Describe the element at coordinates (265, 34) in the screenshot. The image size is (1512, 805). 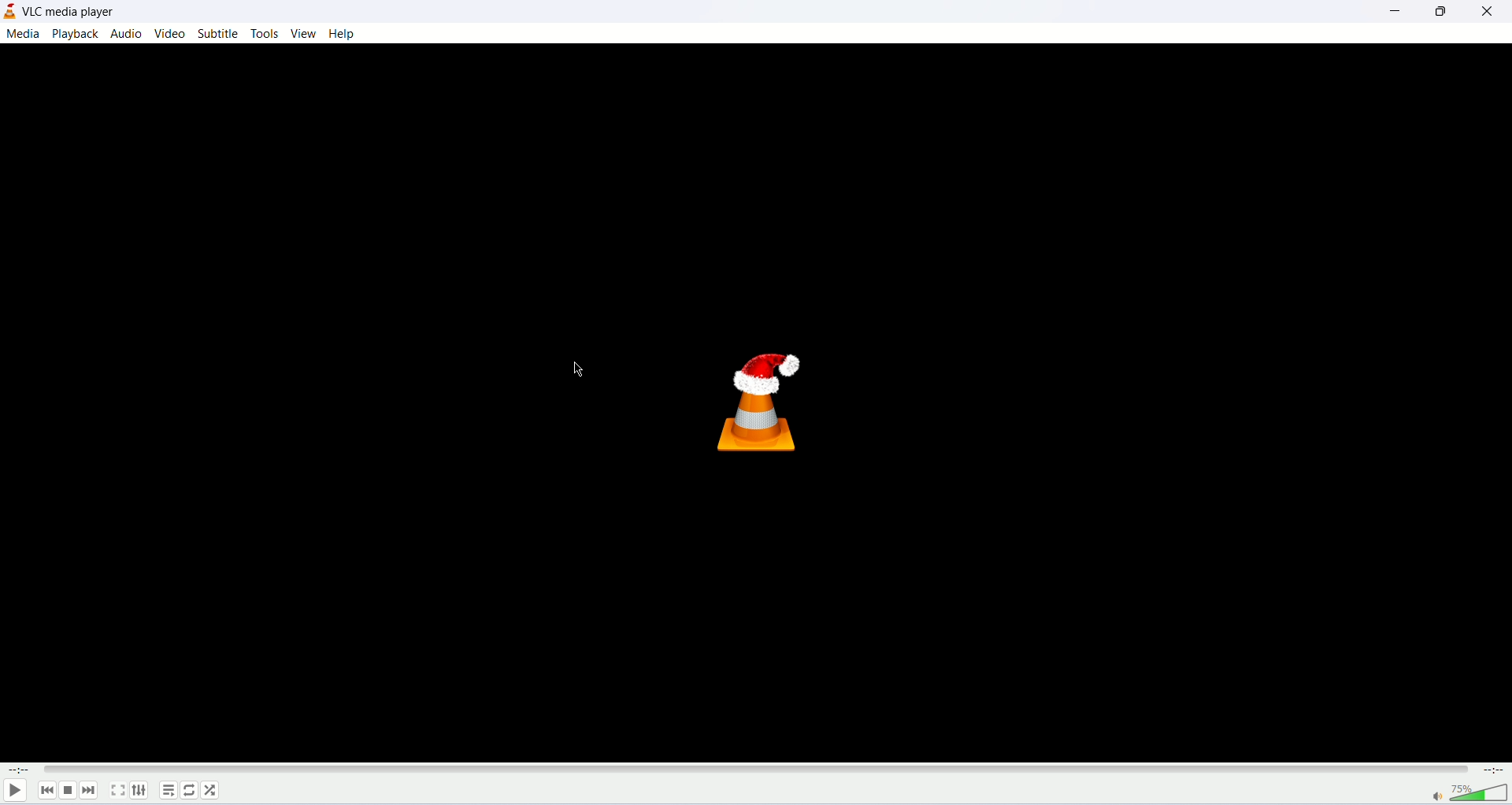
I see `tools` at that location.